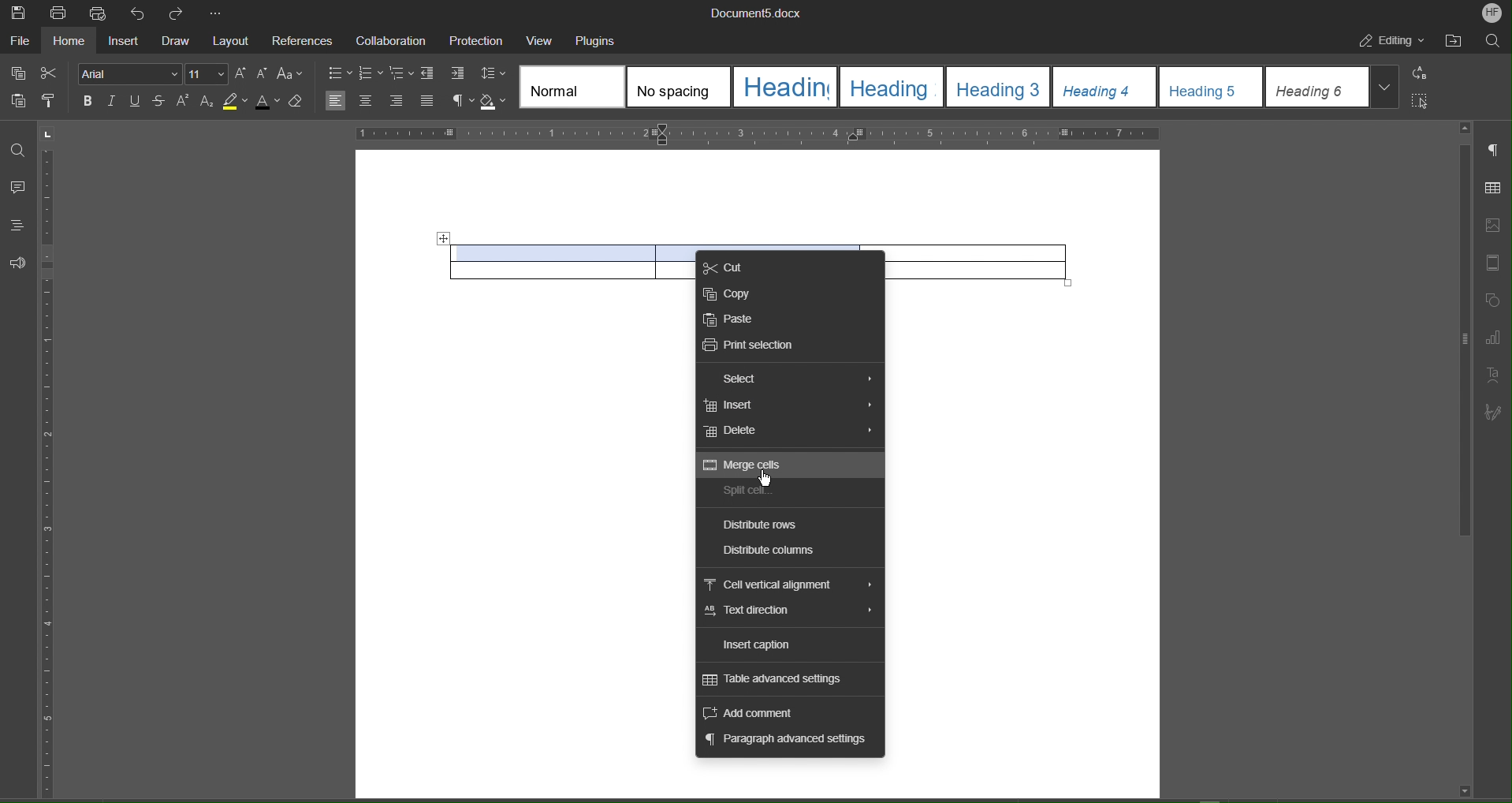 The width and height of the screenshot is (1512, 803). I want to click on Headings, so click(18, 223).